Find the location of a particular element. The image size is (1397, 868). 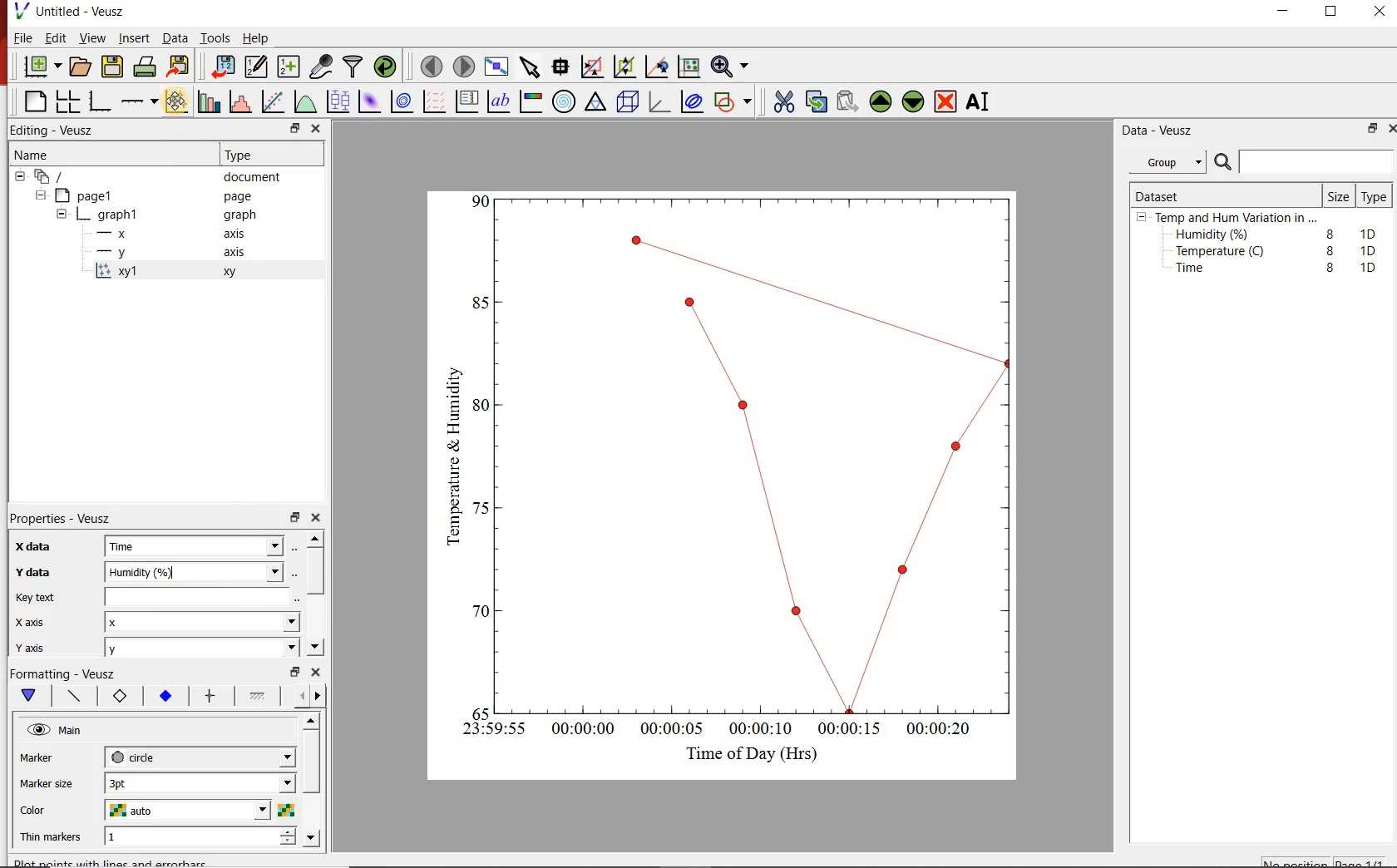

scroll bar is located at coordinates (313, 778).